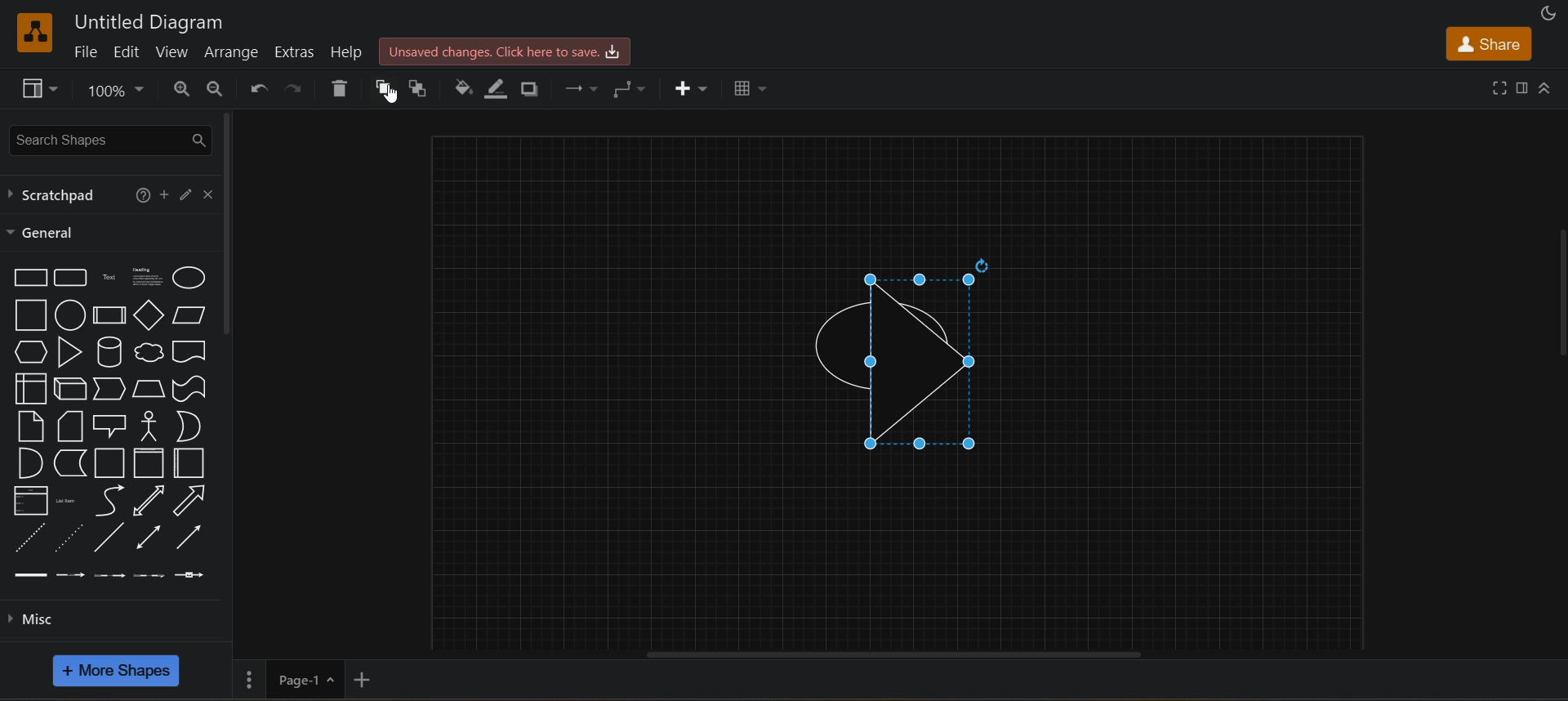 The image size is (1568, 701). What do you see at coordinates (905, 654) in the screenshot?
I see `horizontal scroll bar` at bounding box center [905, 654].